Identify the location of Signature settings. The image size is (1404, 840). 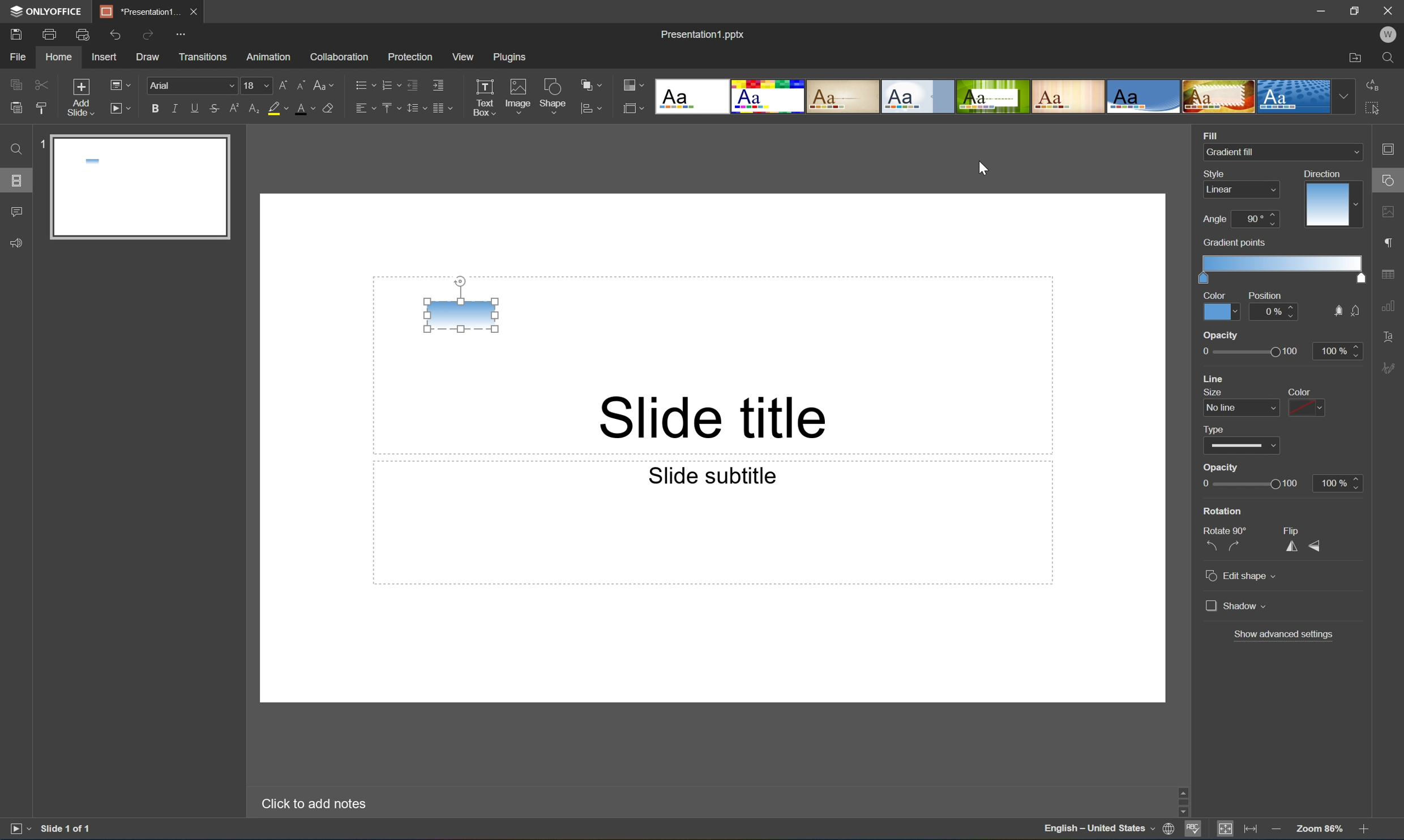
(1391, 367).